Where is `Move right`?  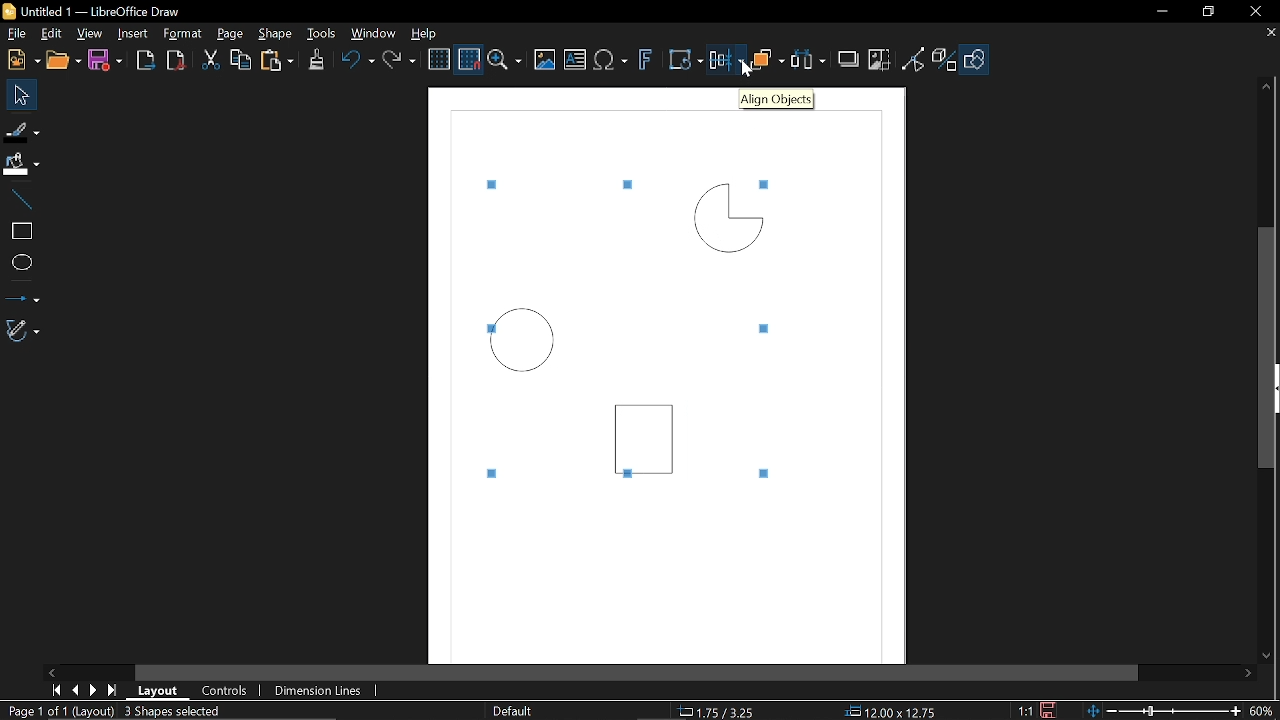
Move right is located at coordinates (1250, 675).